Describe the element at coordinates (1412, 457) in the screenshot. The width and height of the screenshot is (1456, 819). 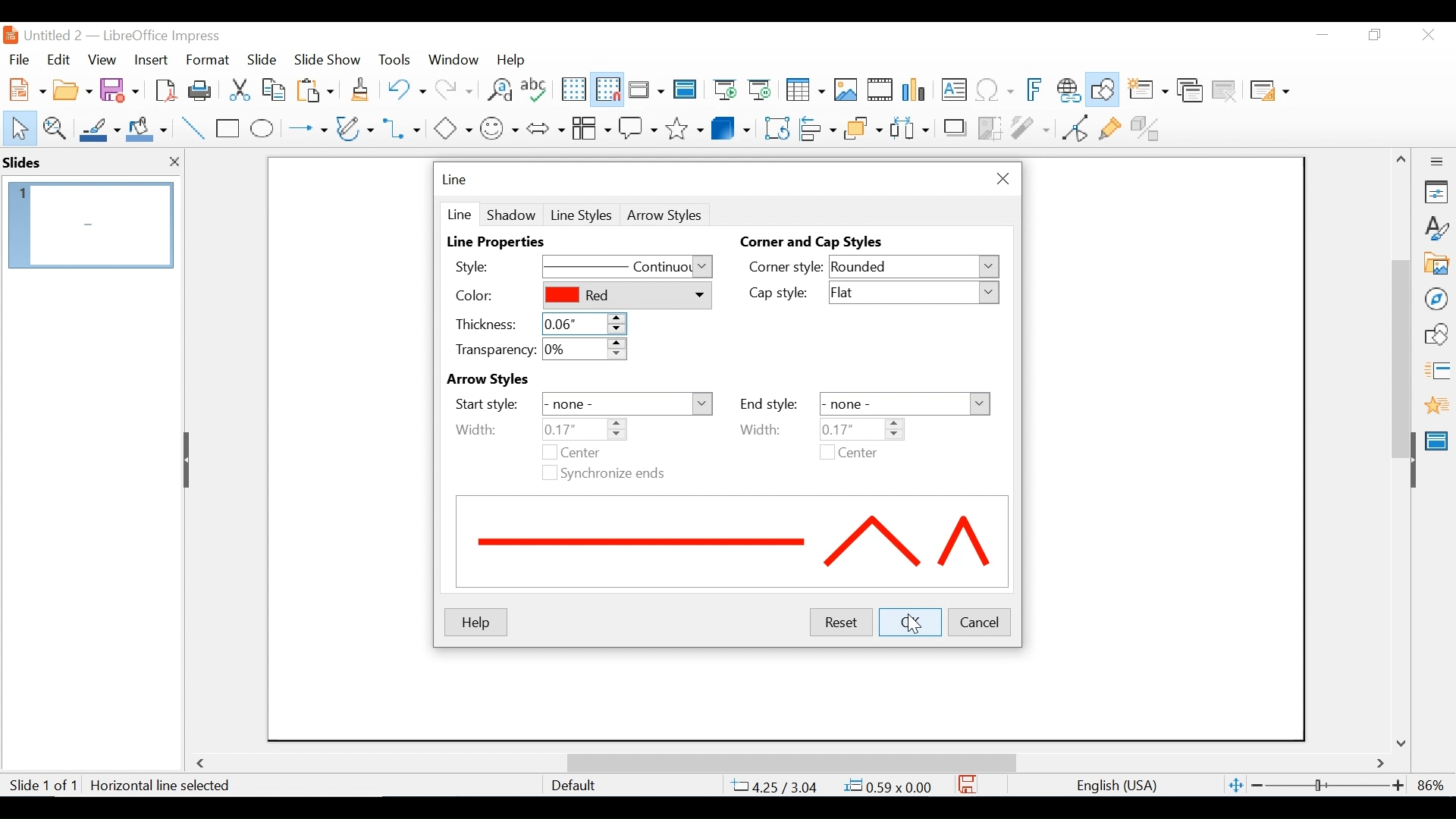
I see `Hide` at that location.